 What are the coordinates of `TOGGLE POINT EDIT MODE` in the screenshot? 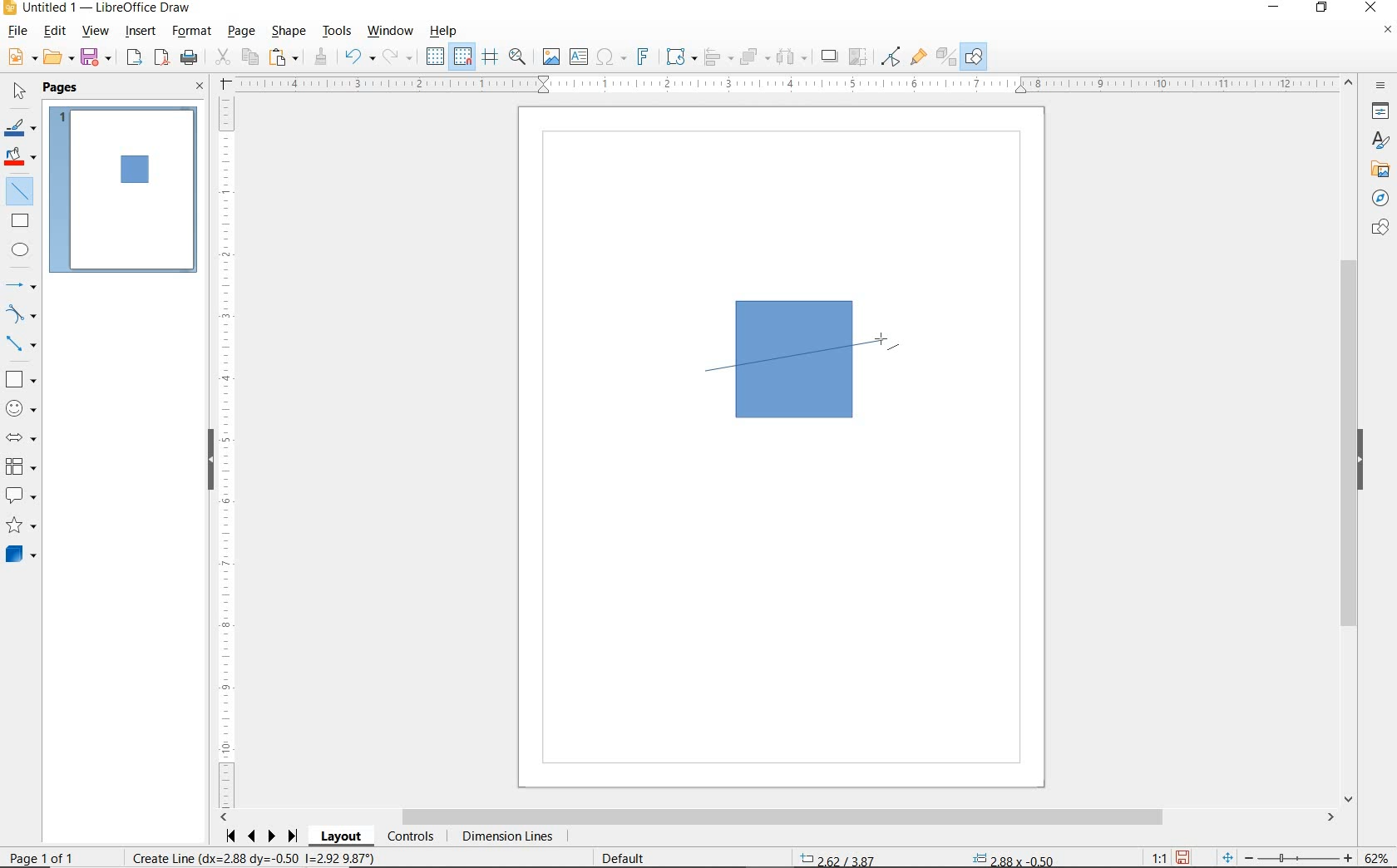 It's located at (892, 58).